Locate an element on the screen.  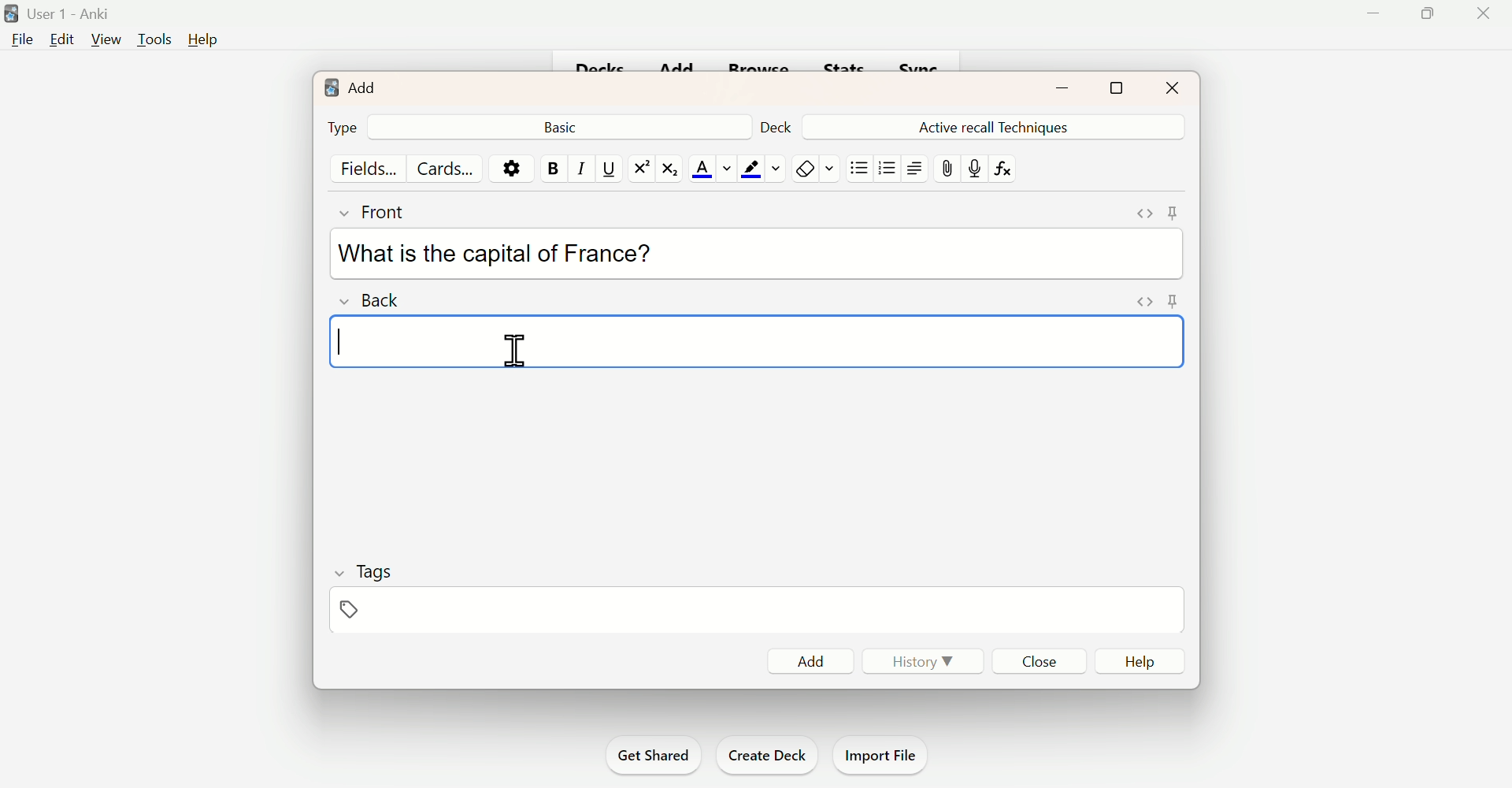
Unorganised List is located at coordinates (860, 167).